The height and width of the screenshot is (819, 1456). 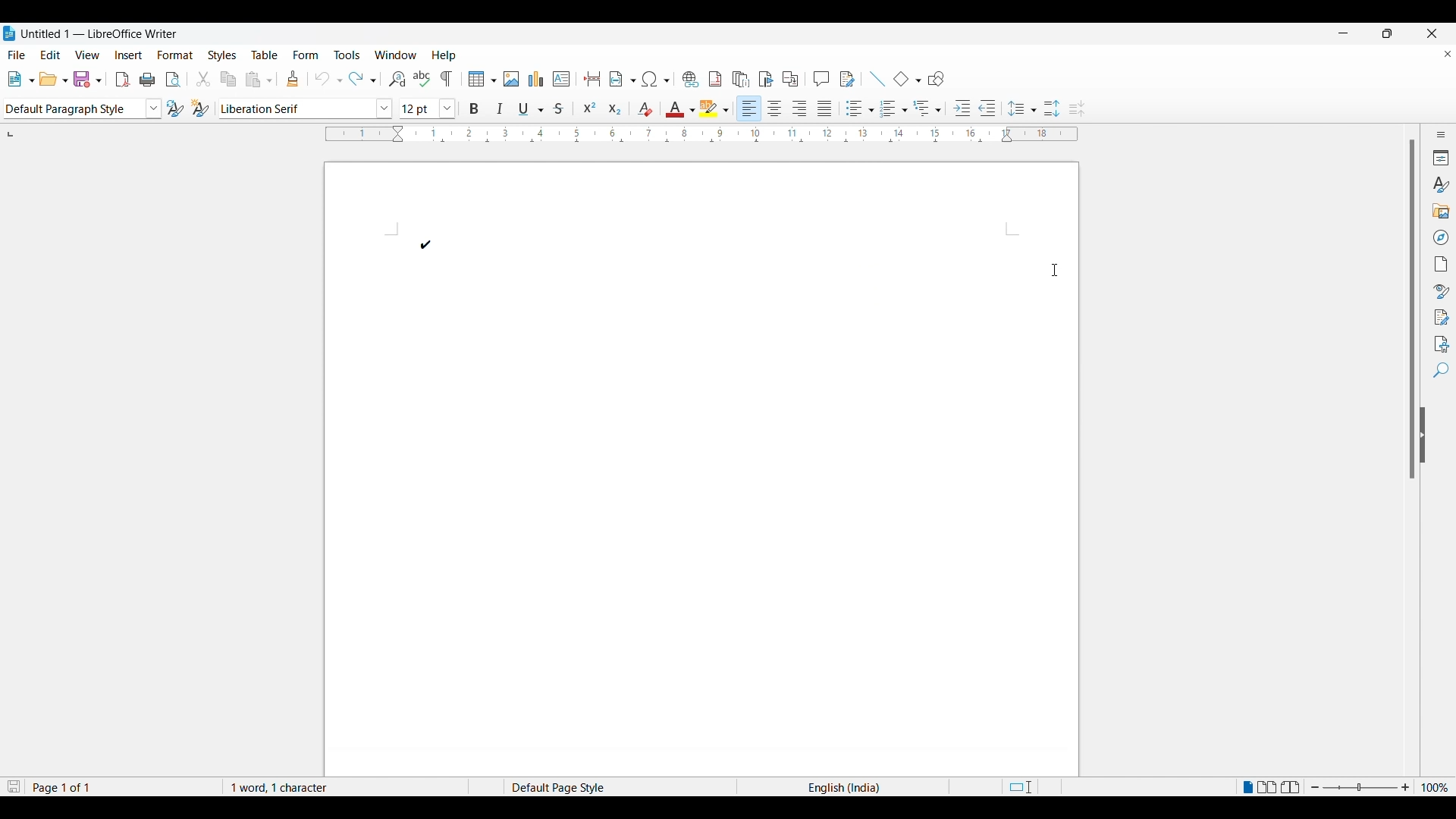 I want to click on add line, so click(x=875, y=77).